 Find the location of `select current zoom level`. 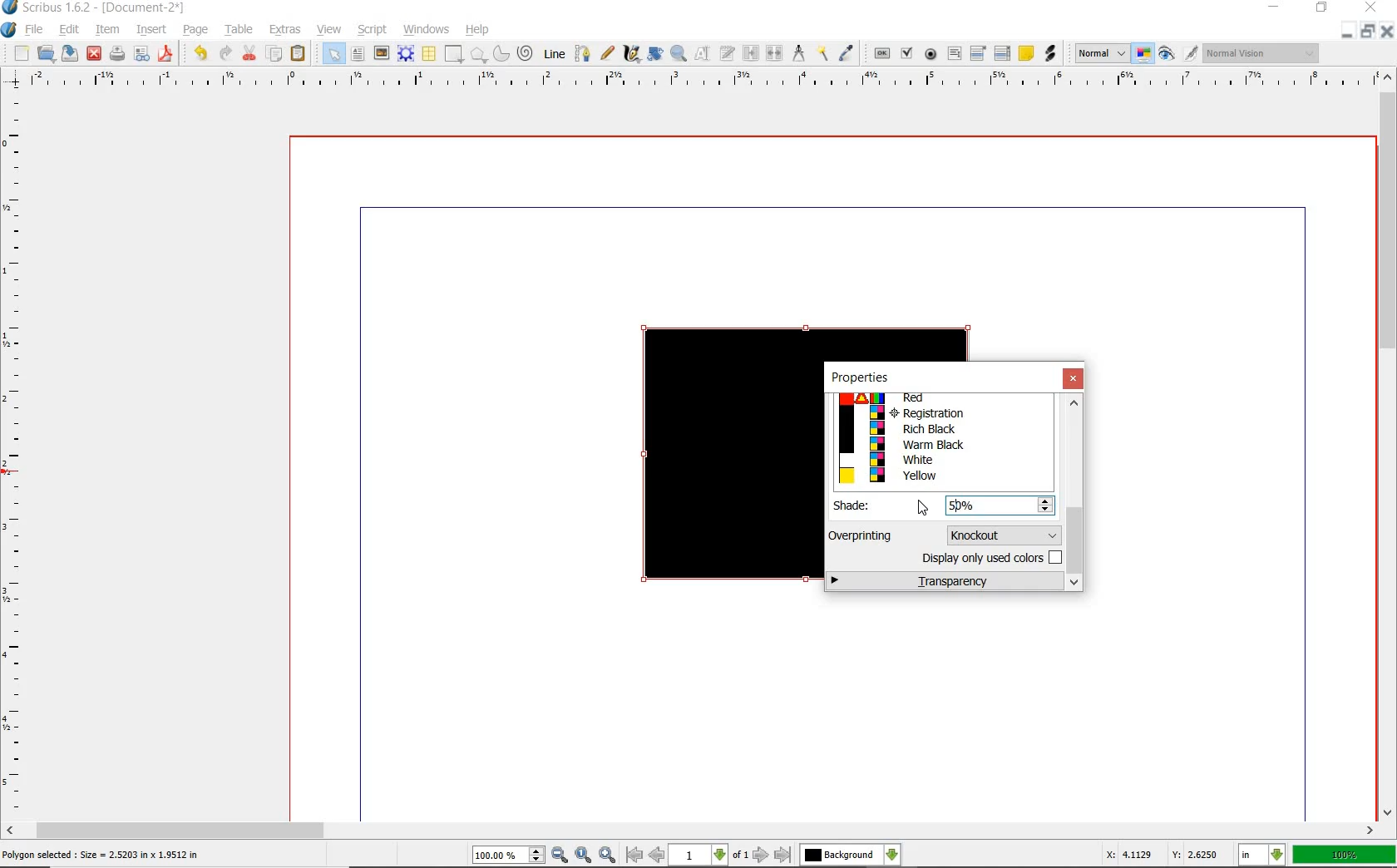

select current zoom level is located at coordinates (508, 856).